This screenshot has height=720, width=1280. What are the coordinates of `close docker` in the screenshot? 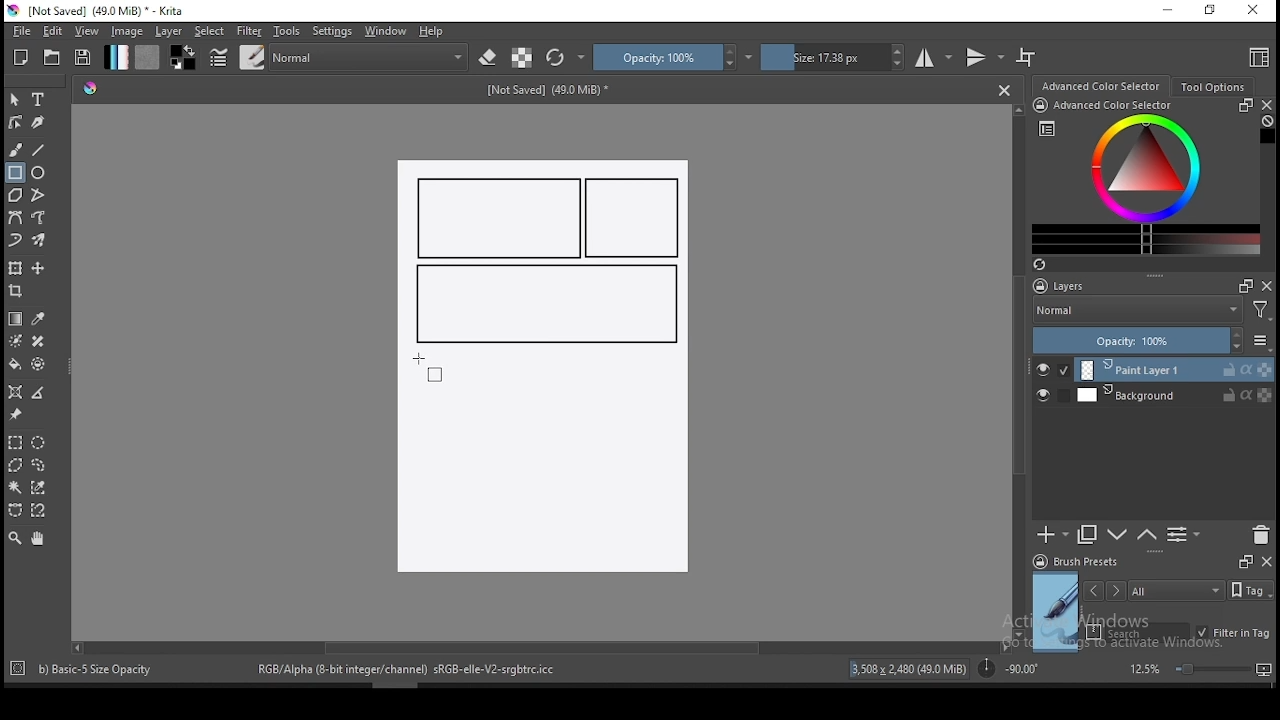 It's located at (1267, 285).